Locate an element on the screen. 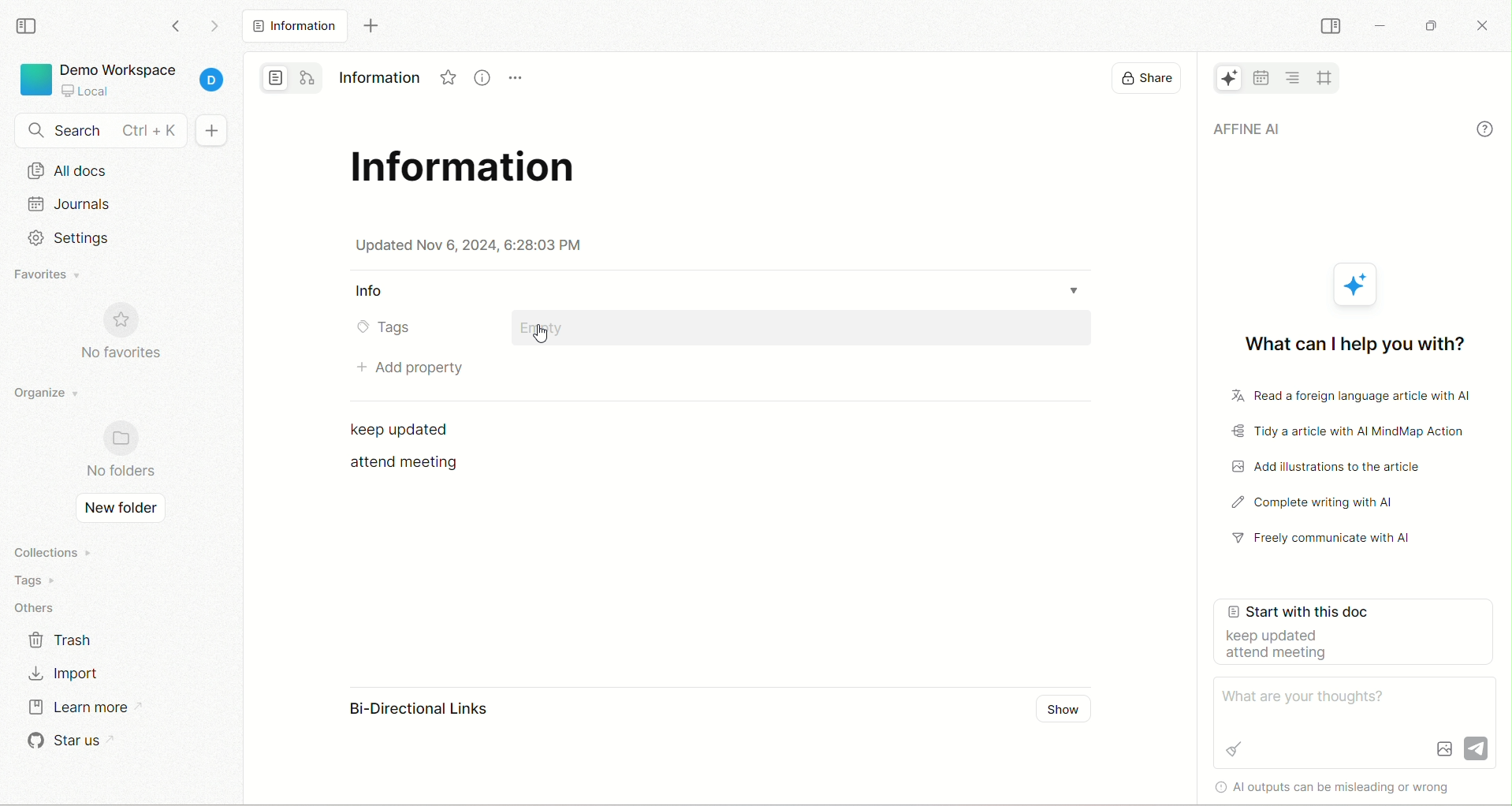  Information is located at coordinates (376, 78).